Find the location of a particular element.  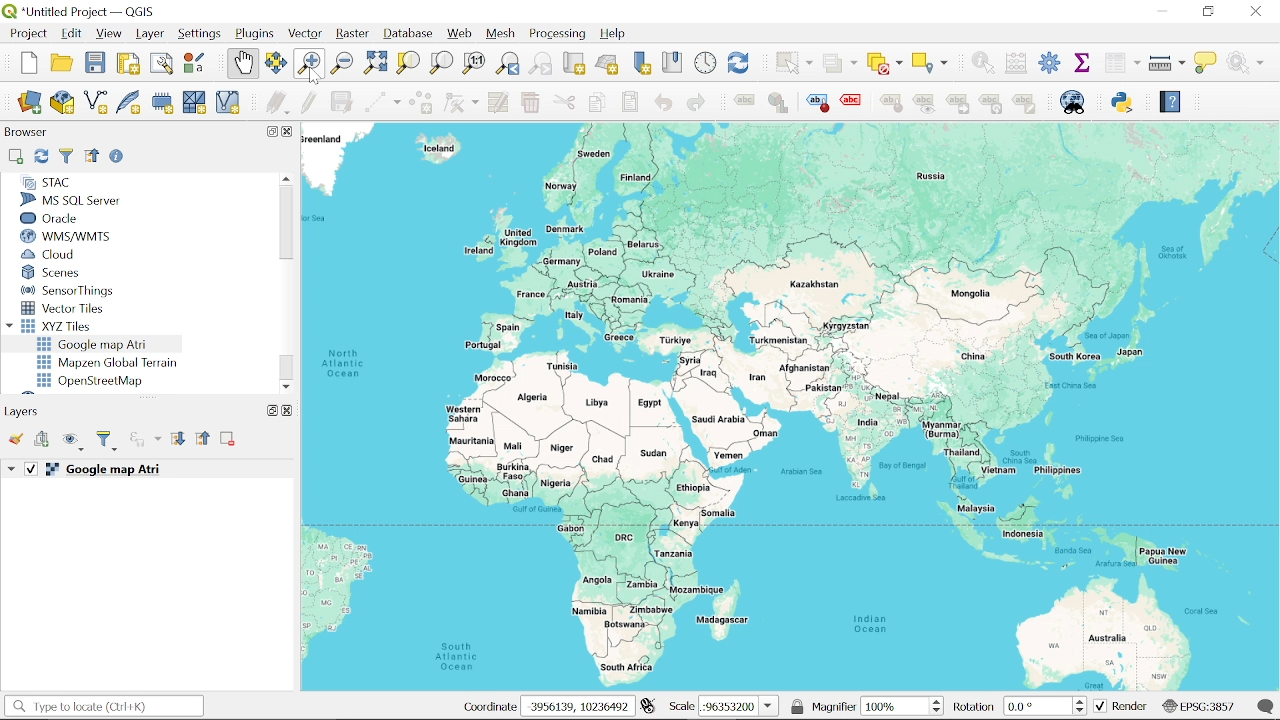

Restore down is located at coordinates (269, 131).